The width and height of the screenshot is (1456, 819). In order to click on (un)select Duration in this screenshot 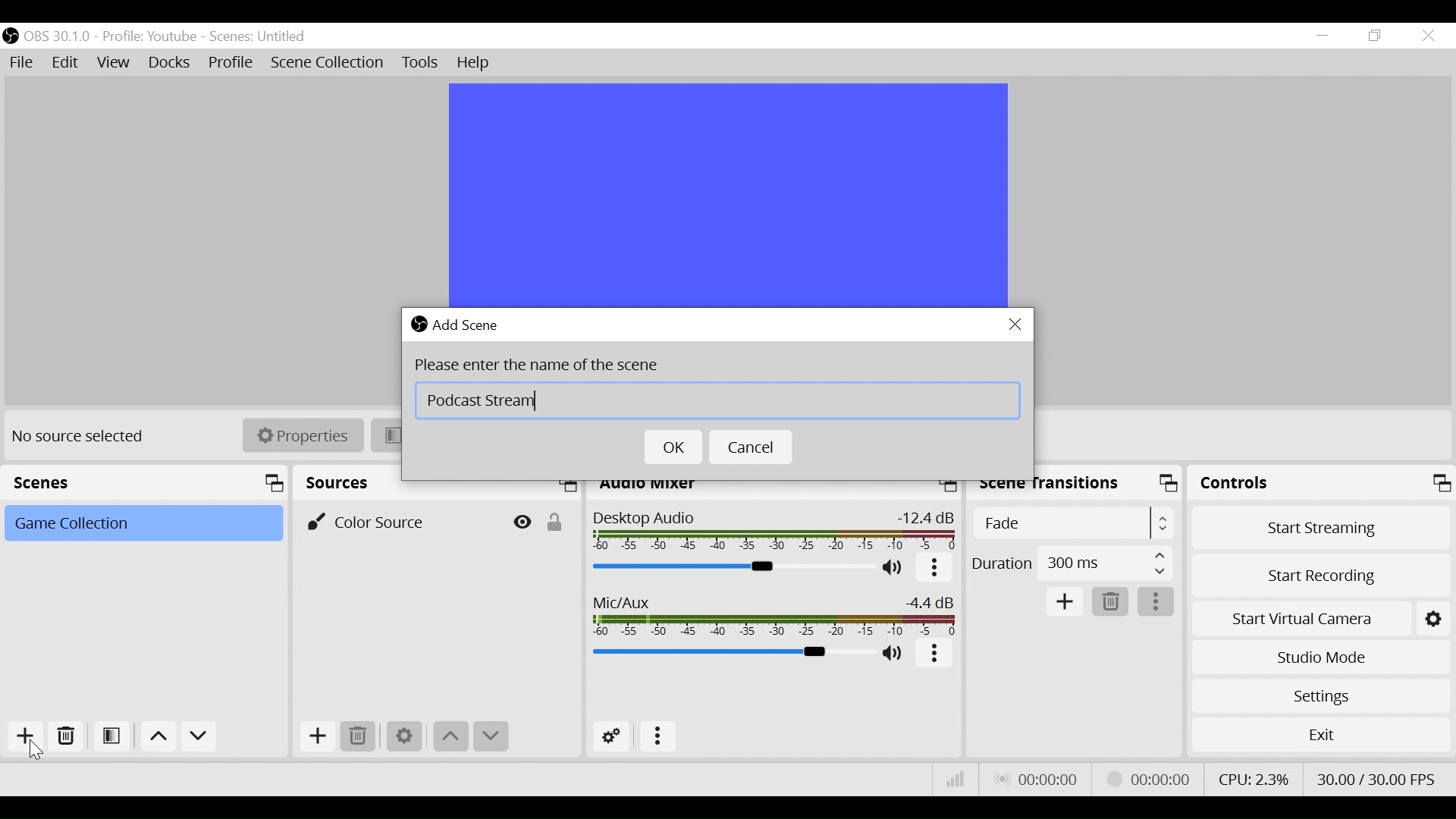, I will do `click(1072, 563)`.